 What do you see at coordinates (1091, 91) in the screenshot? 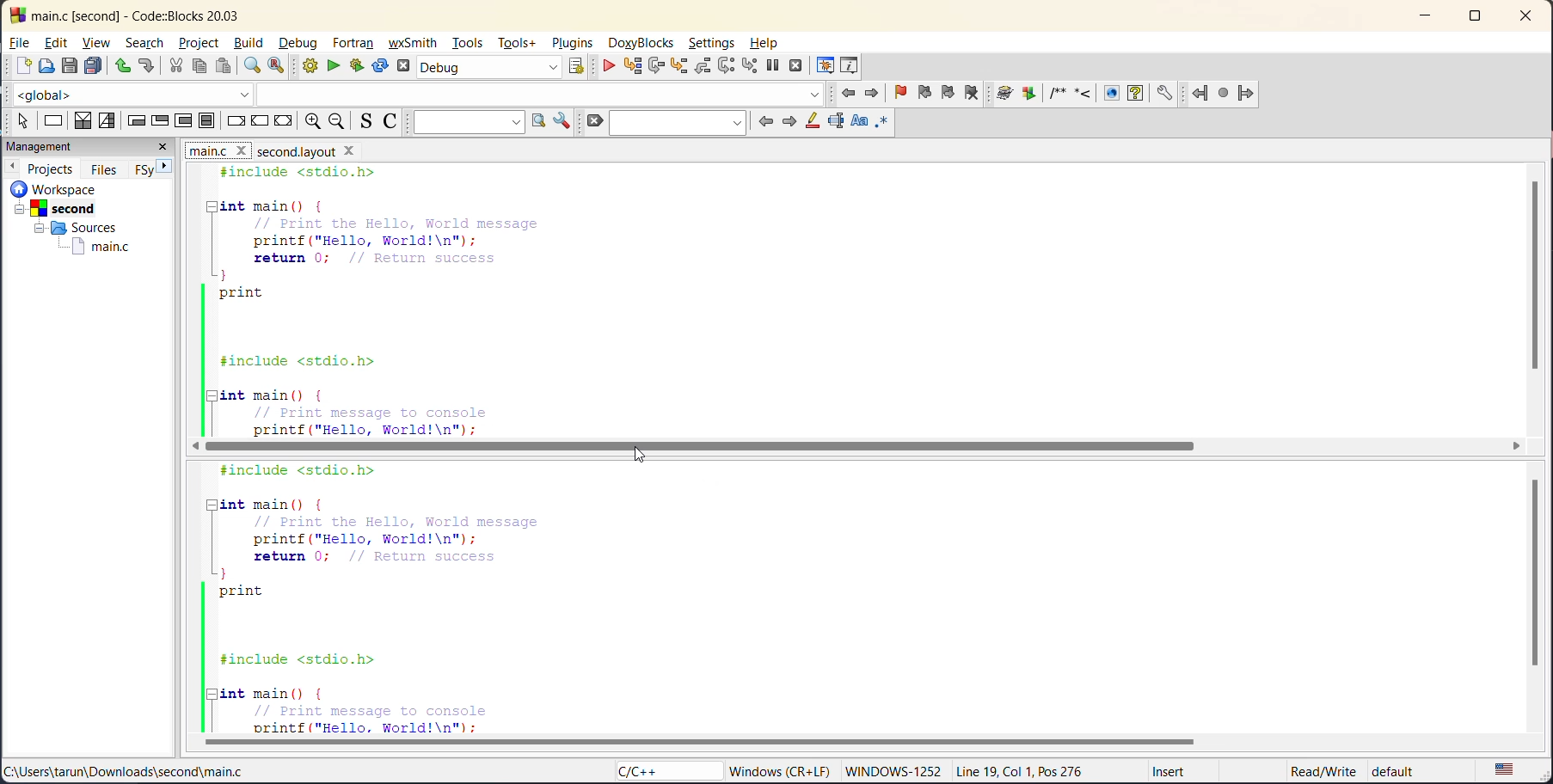
I see `doxyblocks references` at bounding box center [1091, 91].